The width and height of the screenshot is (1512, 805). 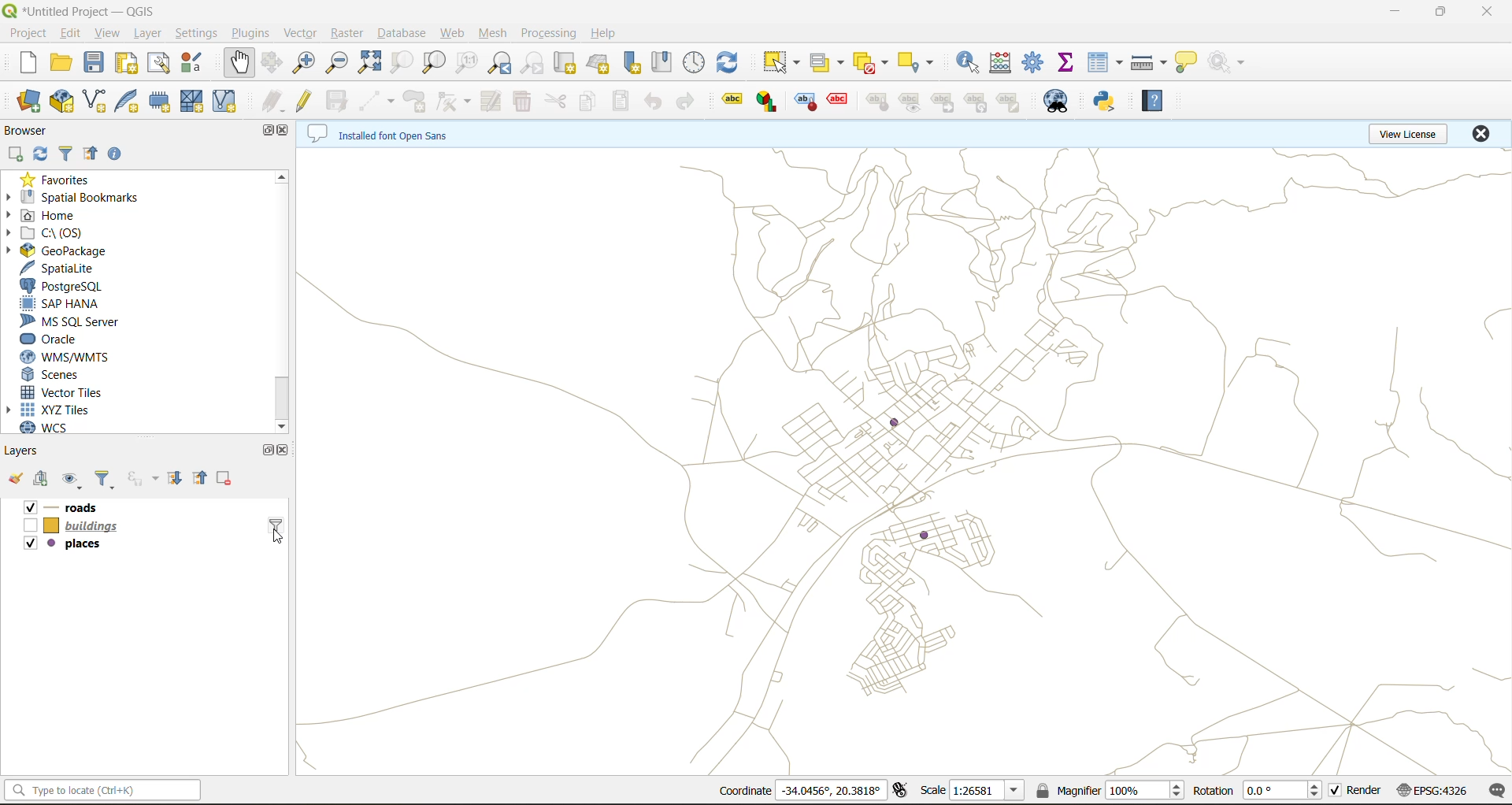 I want to click on delete, so click(x=522, y=98).